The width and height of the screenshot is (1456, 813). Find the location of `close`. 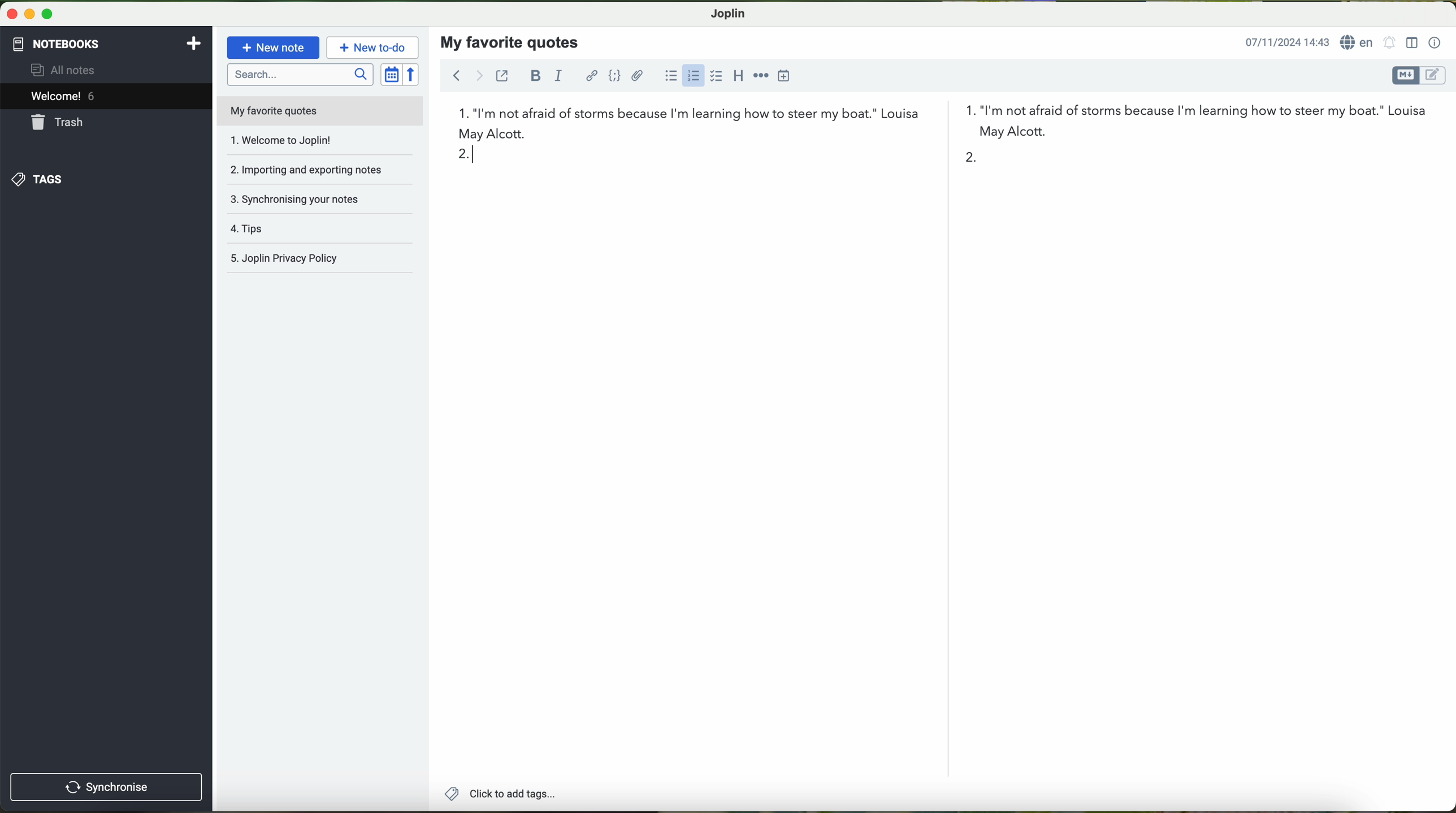

close is located at coordinates (9, 16).